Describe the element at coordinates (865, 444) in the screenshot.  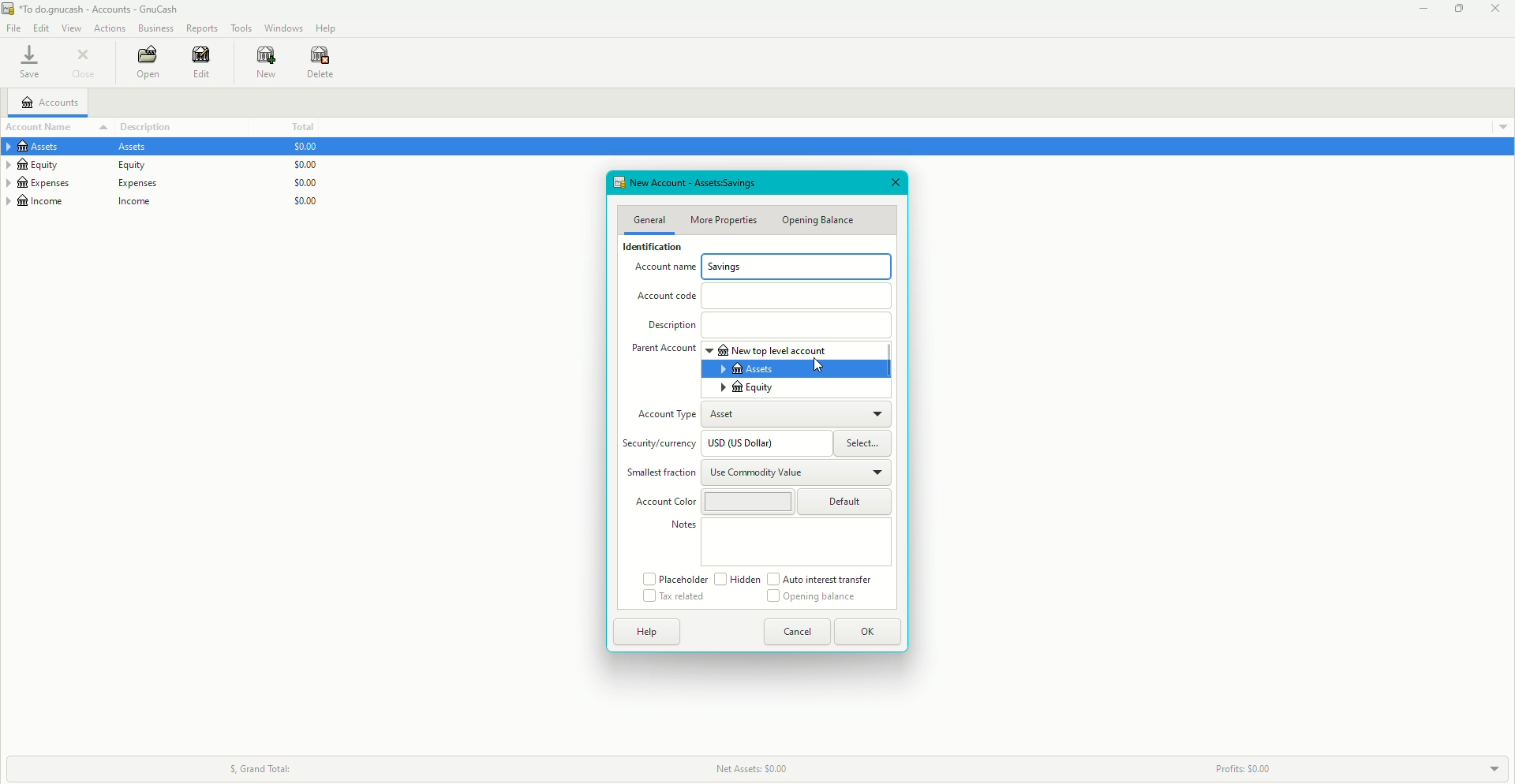
I see `Select` at that location.